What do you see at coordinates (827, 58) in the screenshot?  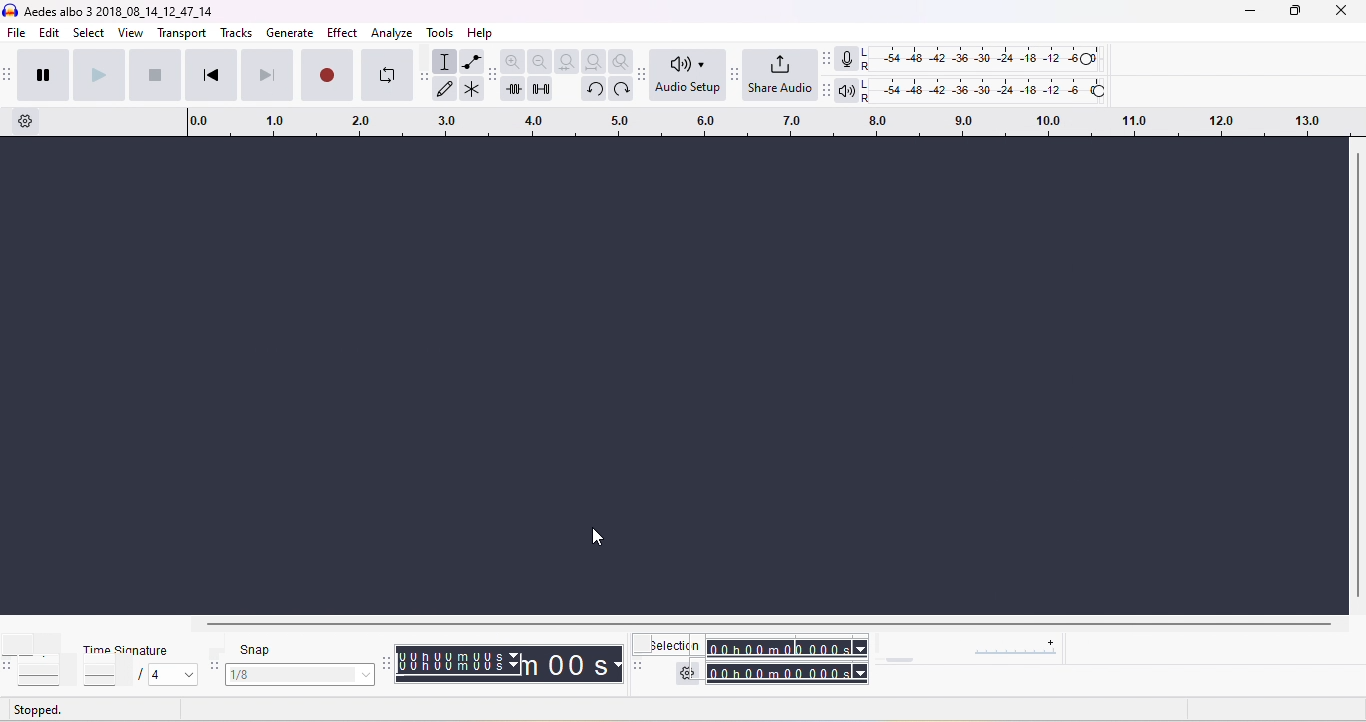 I see `audacity audio meter toolbar` at bounding box center [827, 58].